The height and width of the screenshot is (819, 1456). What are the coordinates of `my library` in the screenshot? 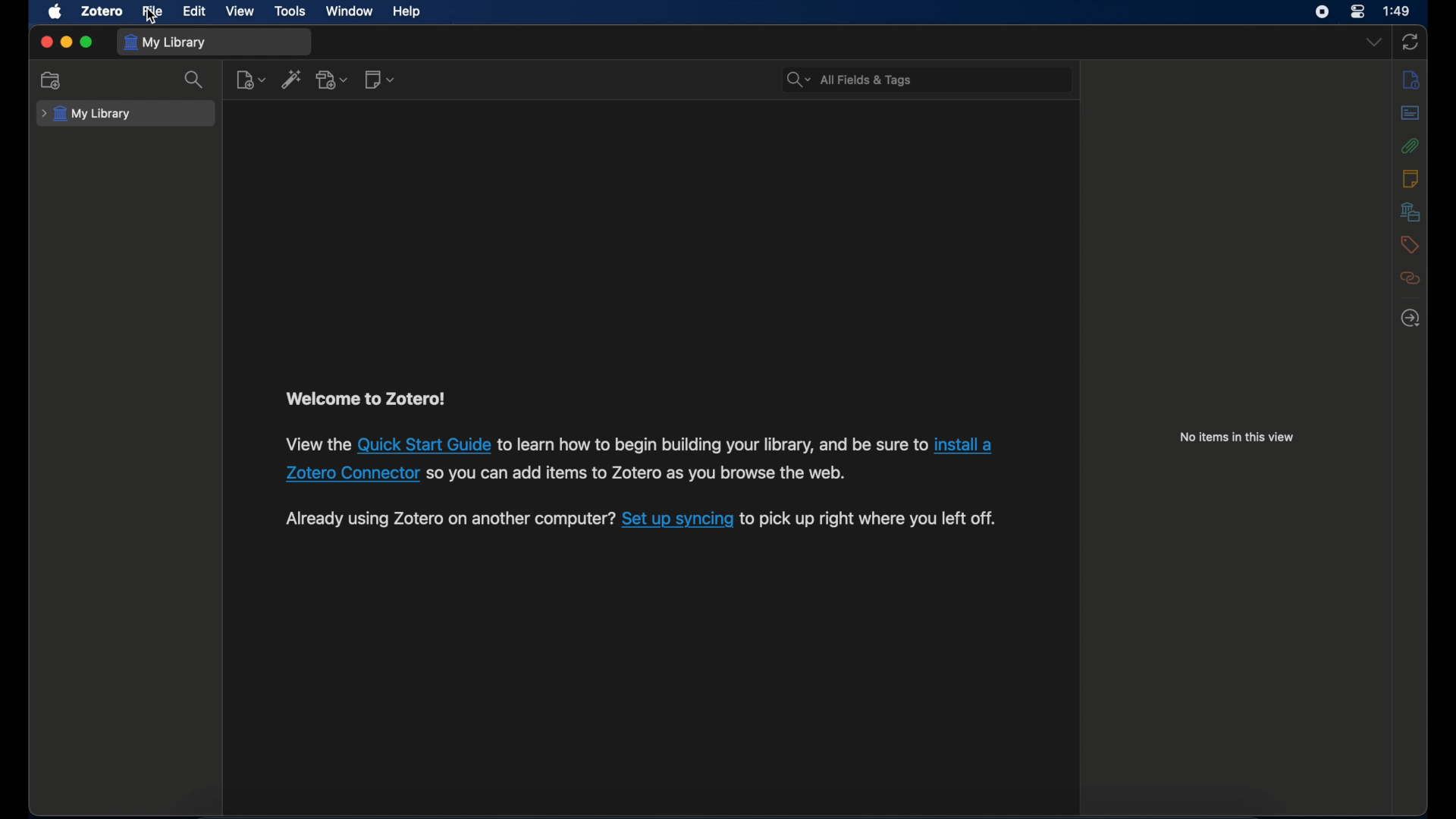 It's located at (85, 115).